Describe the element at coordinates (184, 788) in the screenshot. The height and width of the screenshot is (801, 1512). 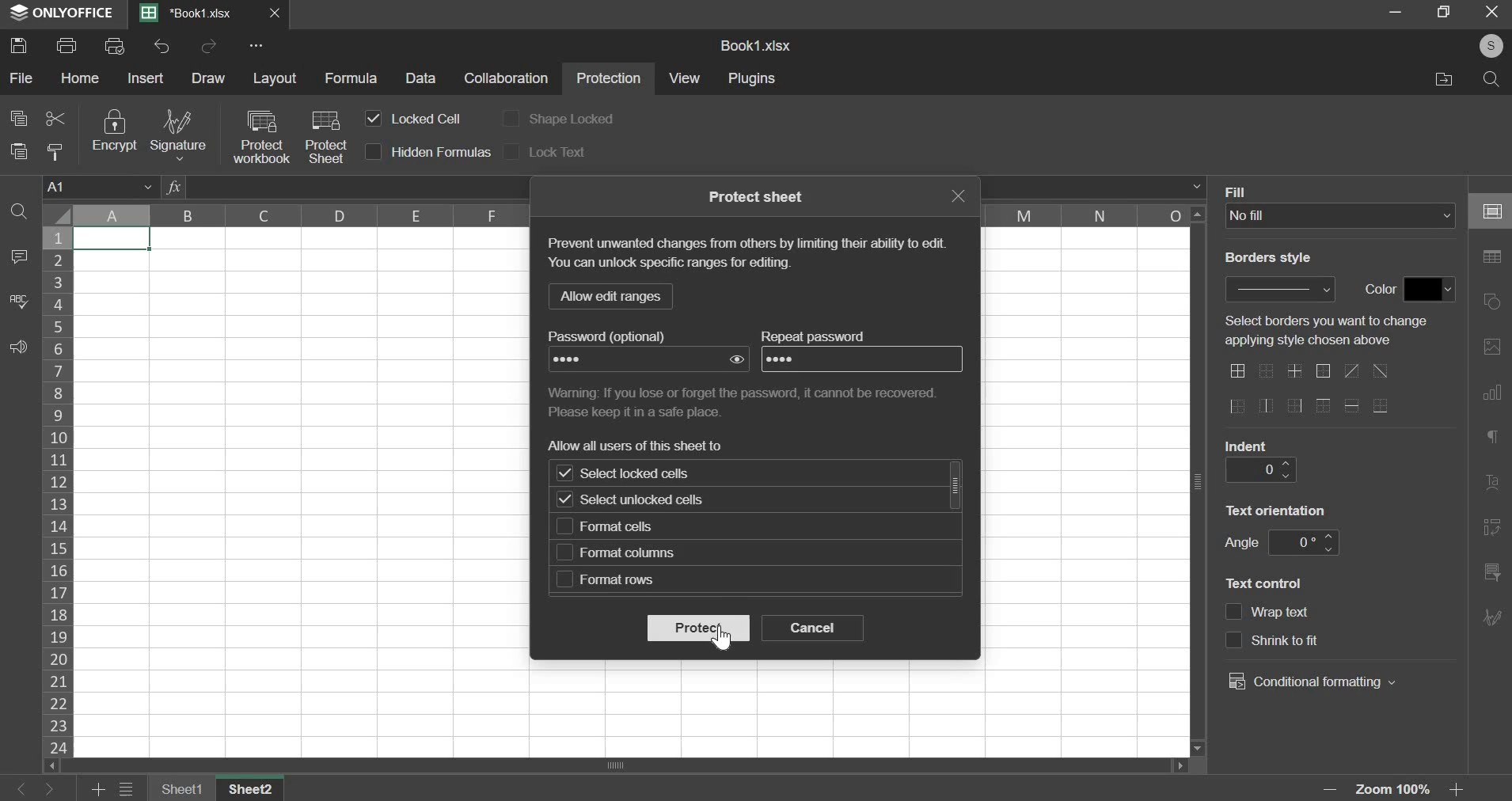
I see `sheet` at that location.